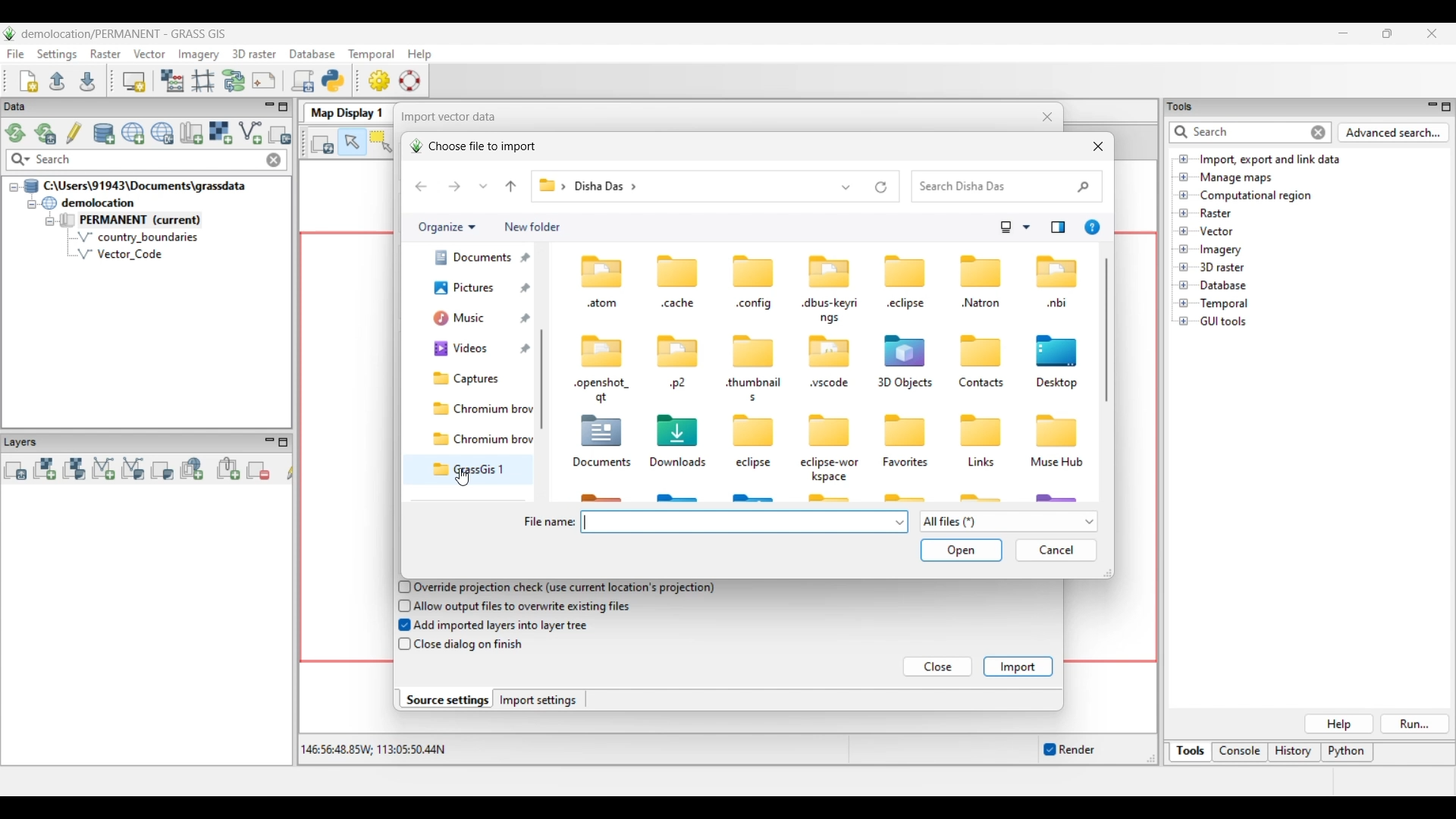  What do you see at coordinates (105, 54) in the screenshot?
I see `Raster menu` at bounding box center [105, 54].